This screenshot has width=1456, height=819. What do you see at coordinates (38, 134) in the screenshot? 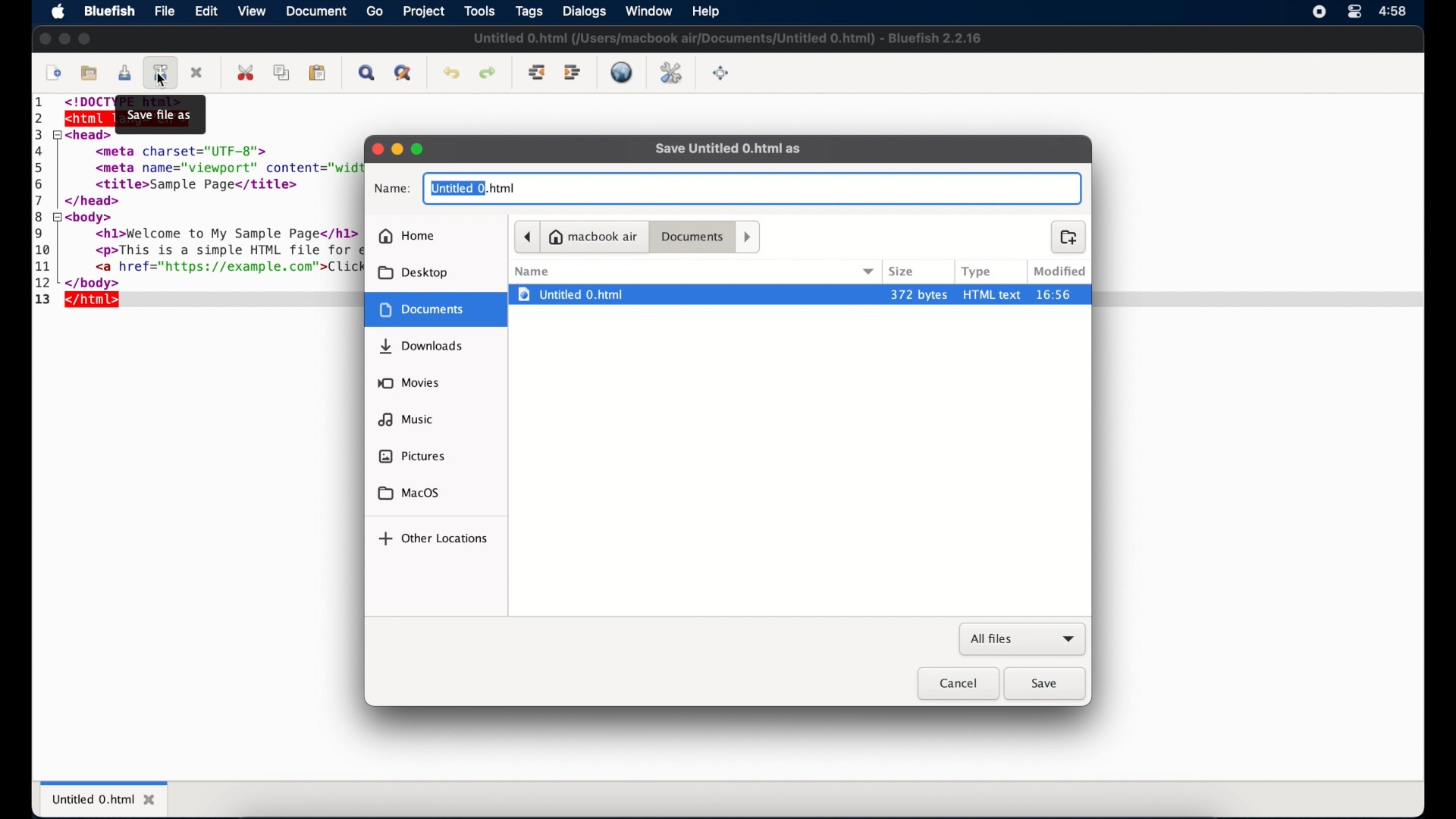
I see `3` at bounding box center [38, 134].